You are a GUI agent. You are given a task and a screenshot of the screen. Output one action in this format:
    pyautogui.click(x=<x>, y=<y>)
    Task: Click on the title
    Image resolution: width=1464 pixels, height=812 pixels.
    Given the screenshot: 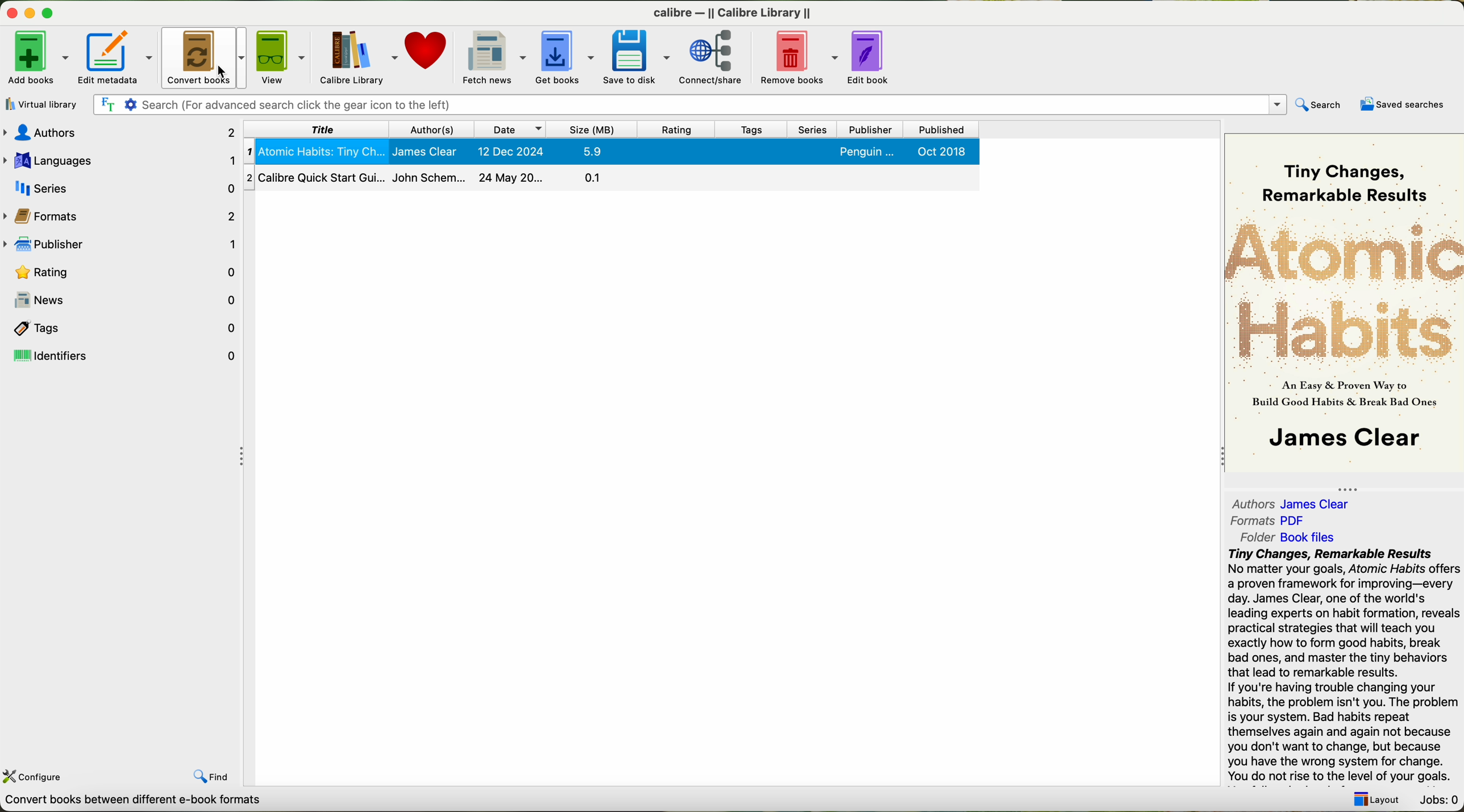 What is the action you would take?
    pyautogui.click(x=315, y=130)
    